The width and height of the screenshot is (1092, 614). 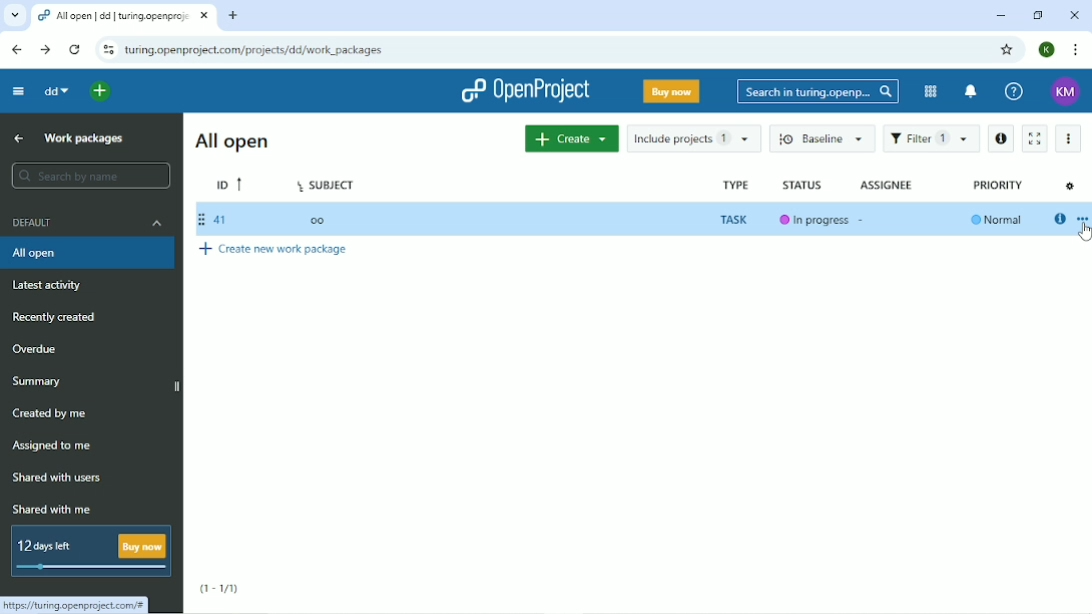 I want to click on Latest activity, so click(x=50, y=285).